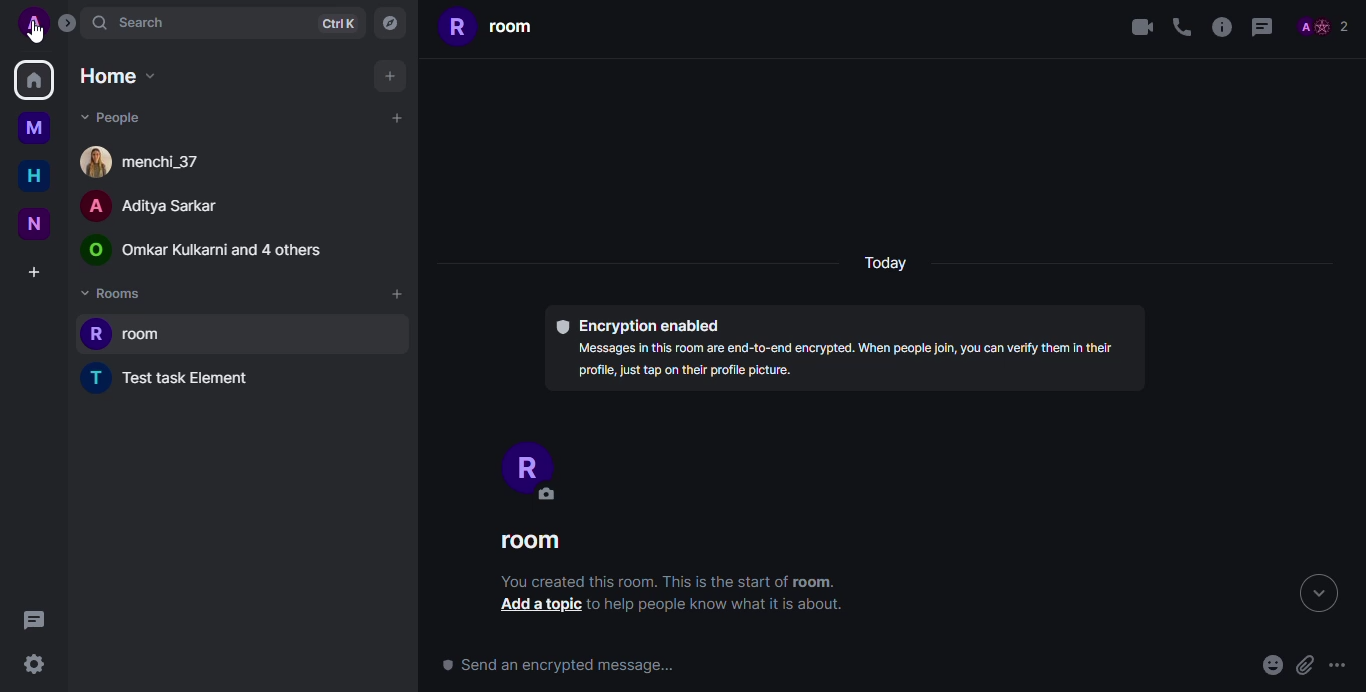  Describe the element at coordinates (116, 295) in the screenshot. I see `rooms dropdown` at that location.